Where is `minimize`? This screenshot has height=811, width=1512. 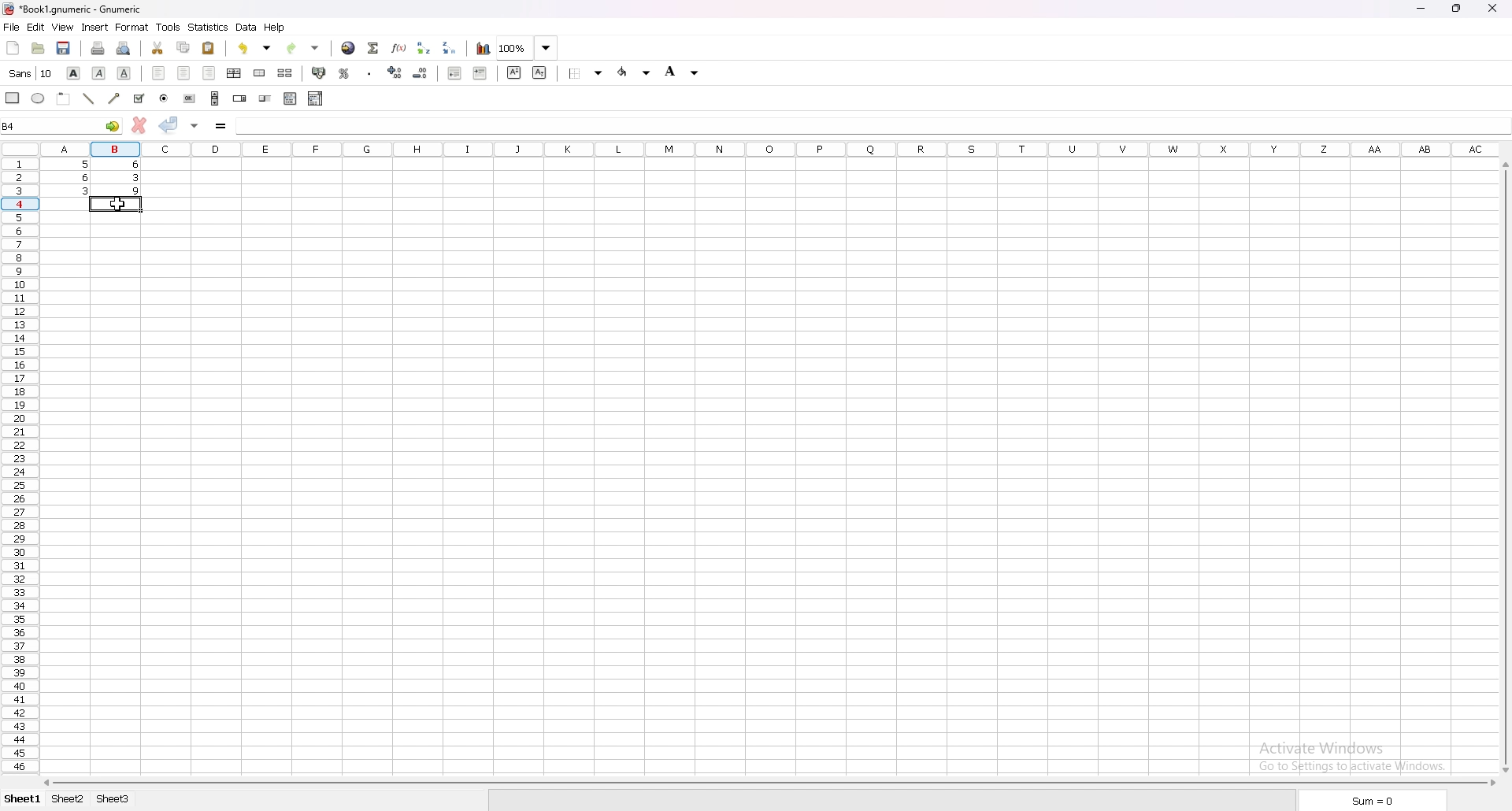
minimize is located at coordinates (1421, 9).